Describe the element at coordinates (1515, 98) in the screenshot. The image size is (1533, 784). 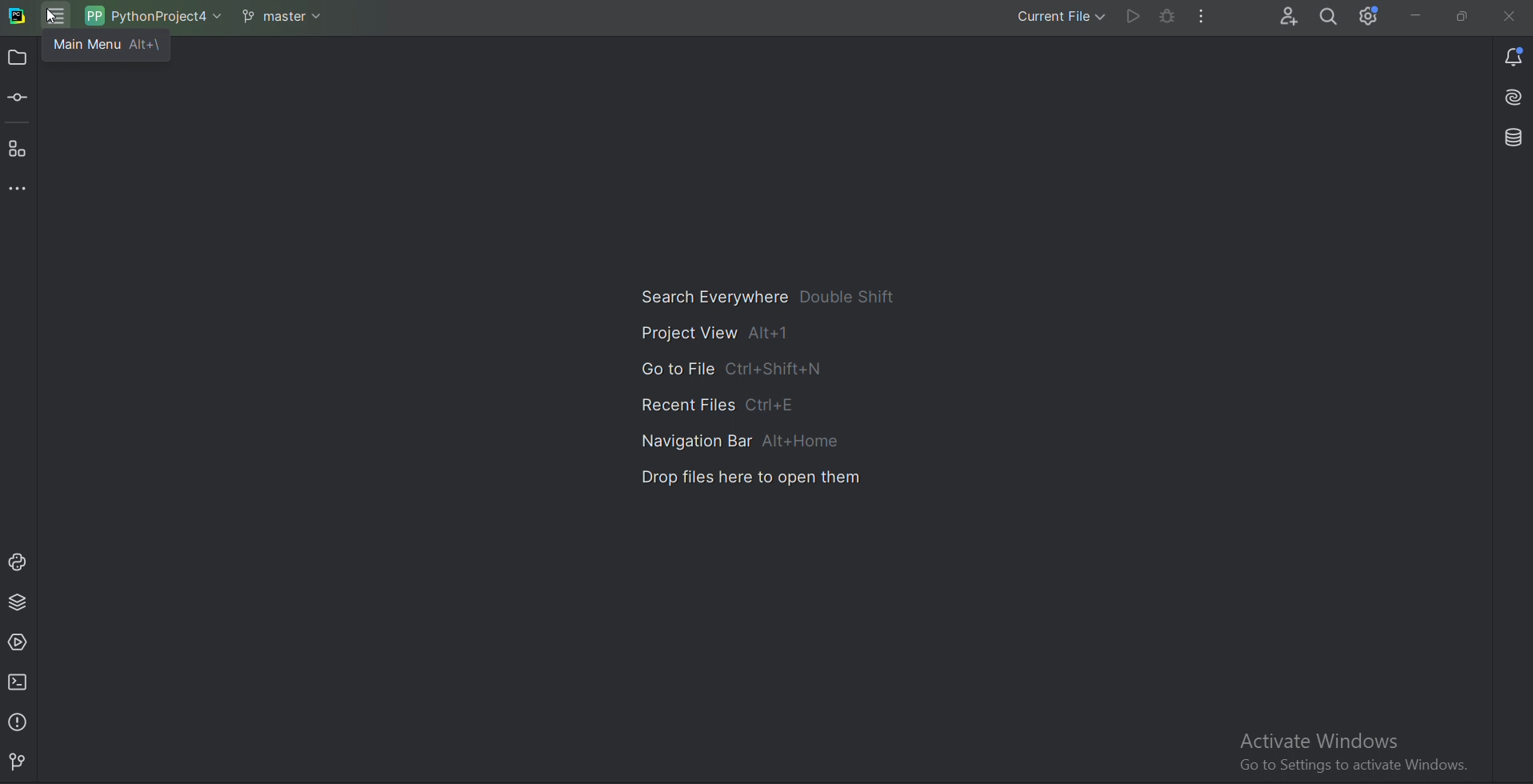
I see `Install AI assistant` at that location.